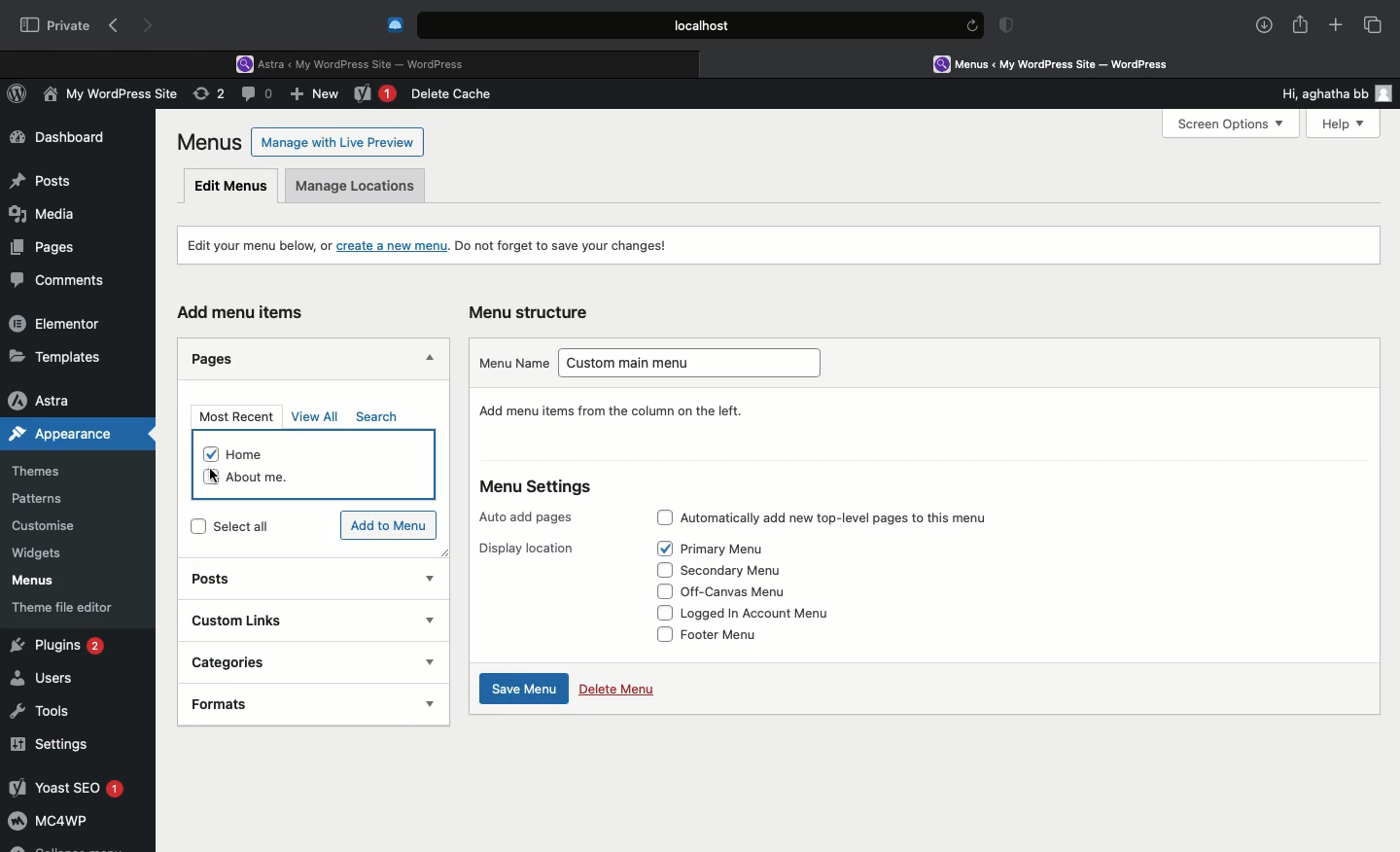  I want to click on checkbox, so click(194, 528).